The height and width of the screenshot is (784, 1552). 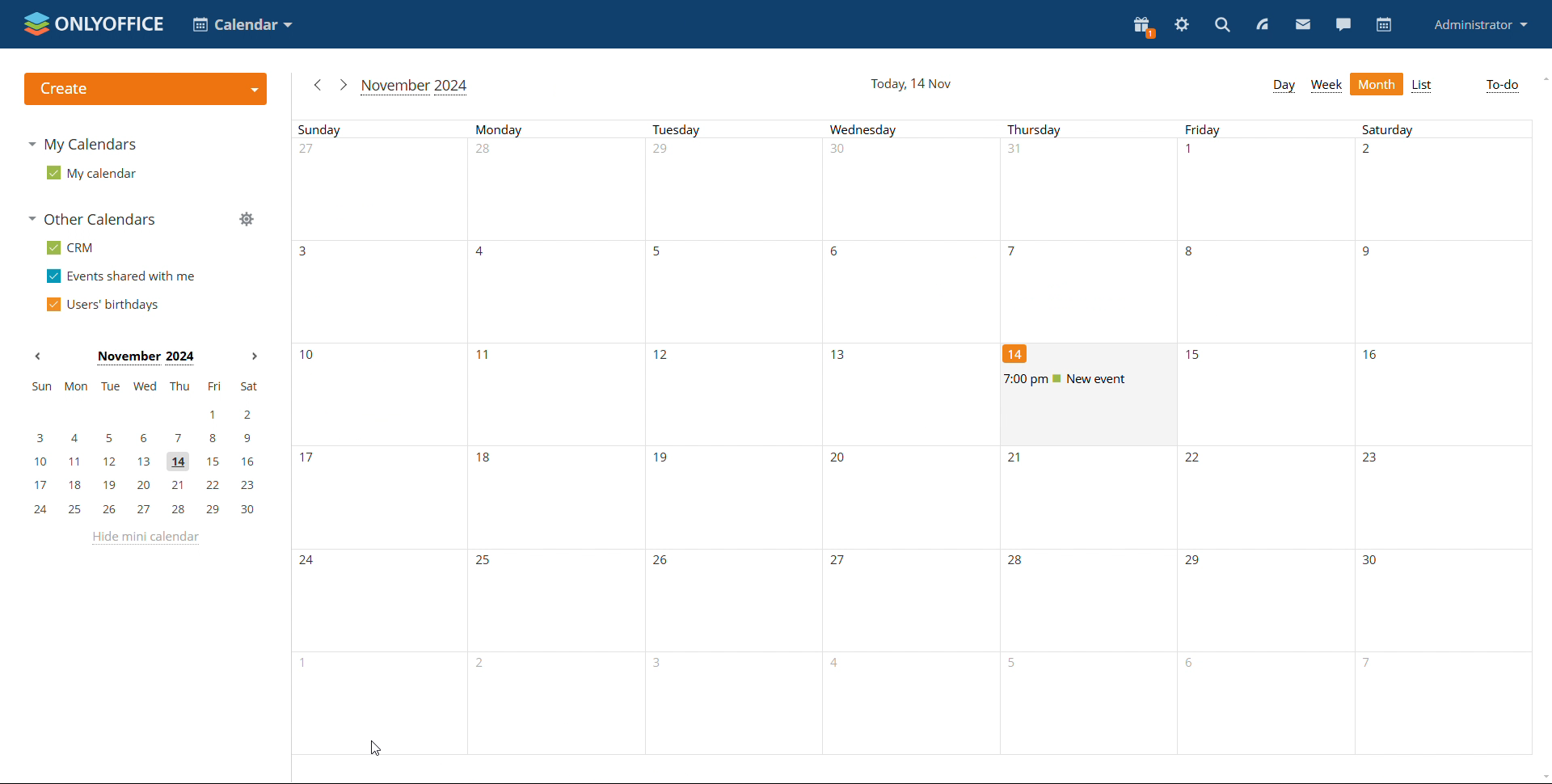 What do you see at coordinates (1142, 27) in the screenshot?
I see `present` at bounding box center [1142, 27].